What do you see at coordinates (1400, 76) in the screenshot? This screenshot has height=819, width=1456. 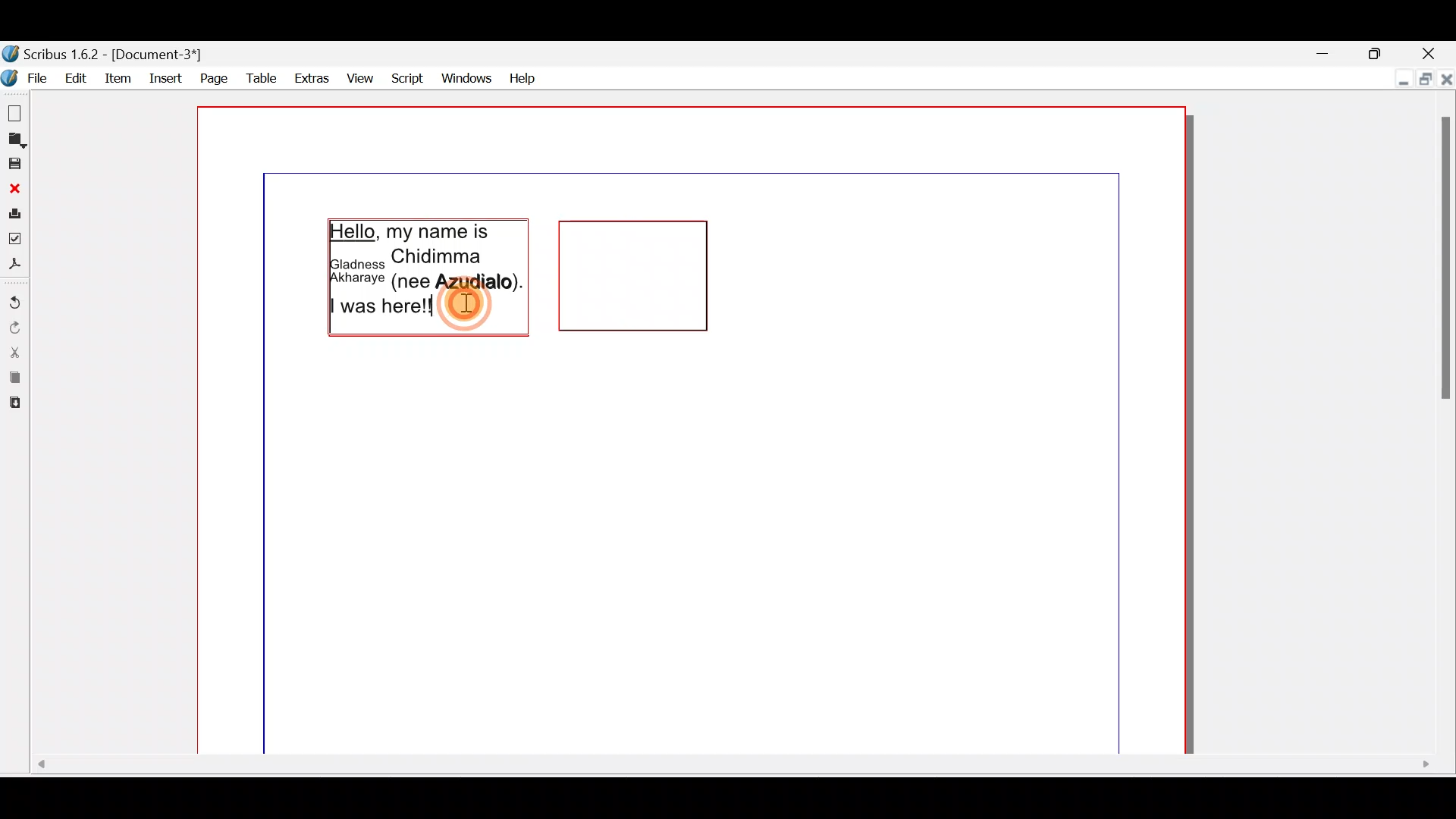 I see `Minimise` at bounding box center [1400, 76].